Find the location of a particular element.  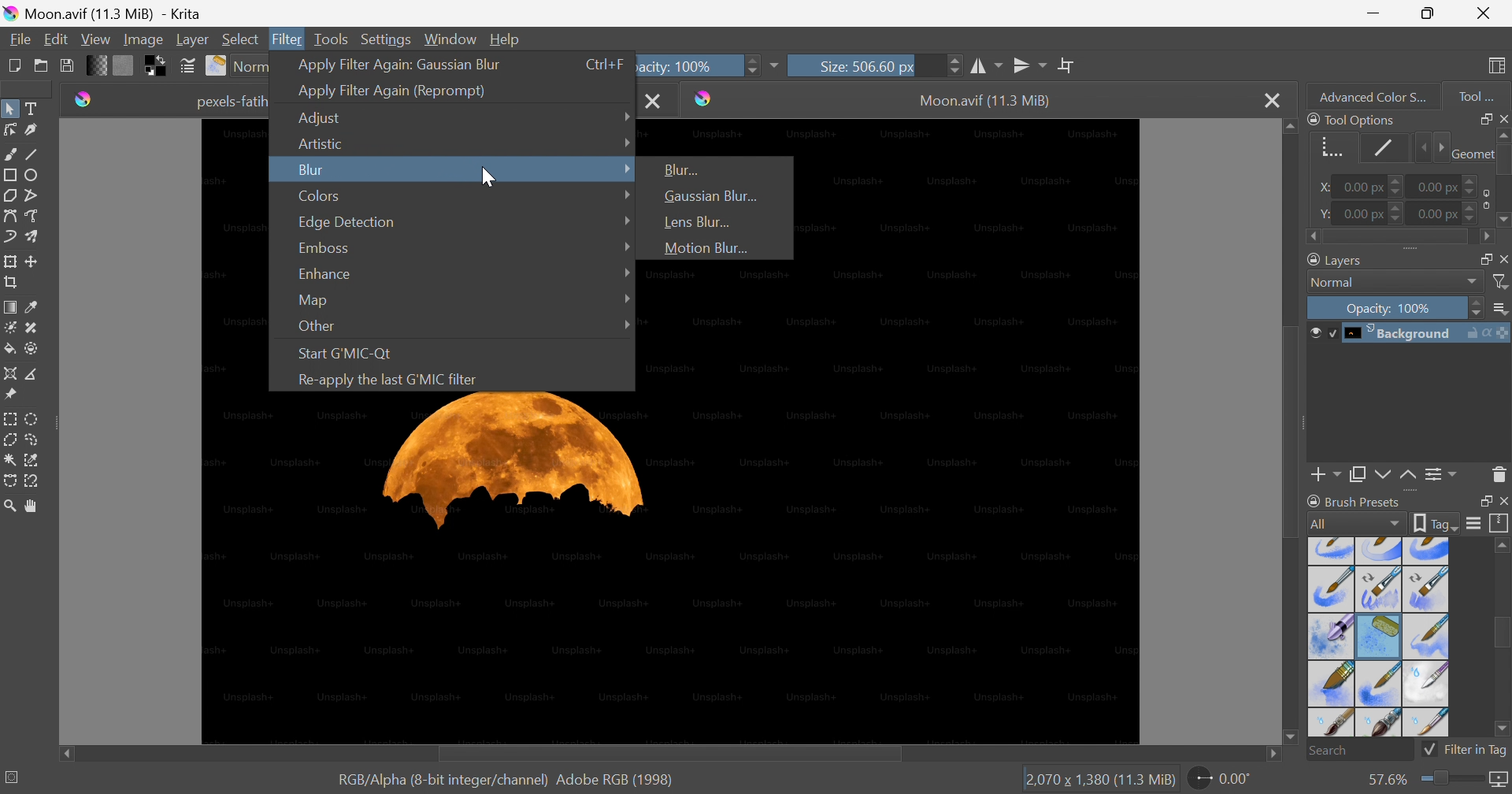

Calligraphy is located at coordinates (34, 129).